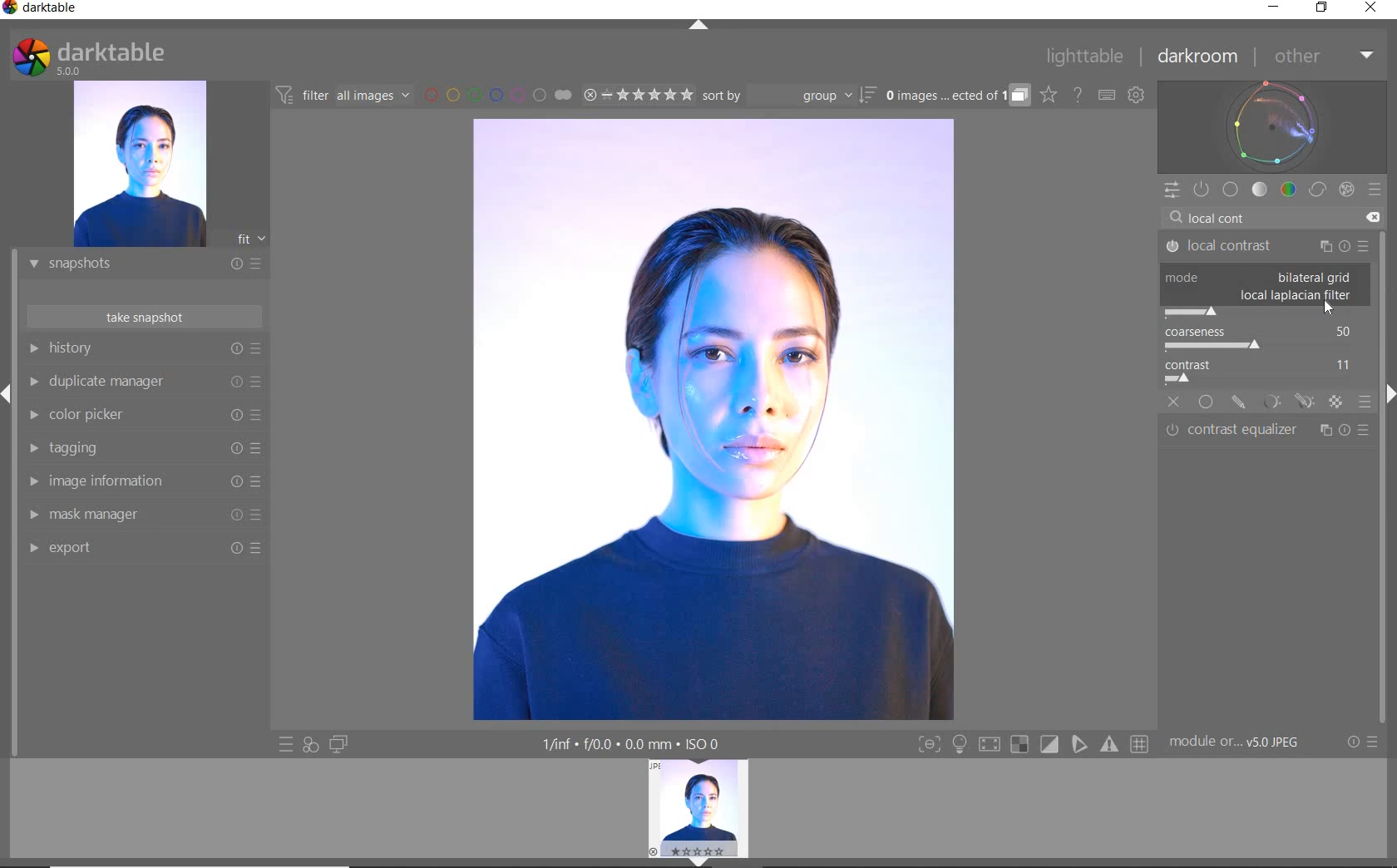  What do you see at coordinates (139, 486) in the screenshot?
I see `IMAGE INFORMATION` at bounding box center [139, 486].